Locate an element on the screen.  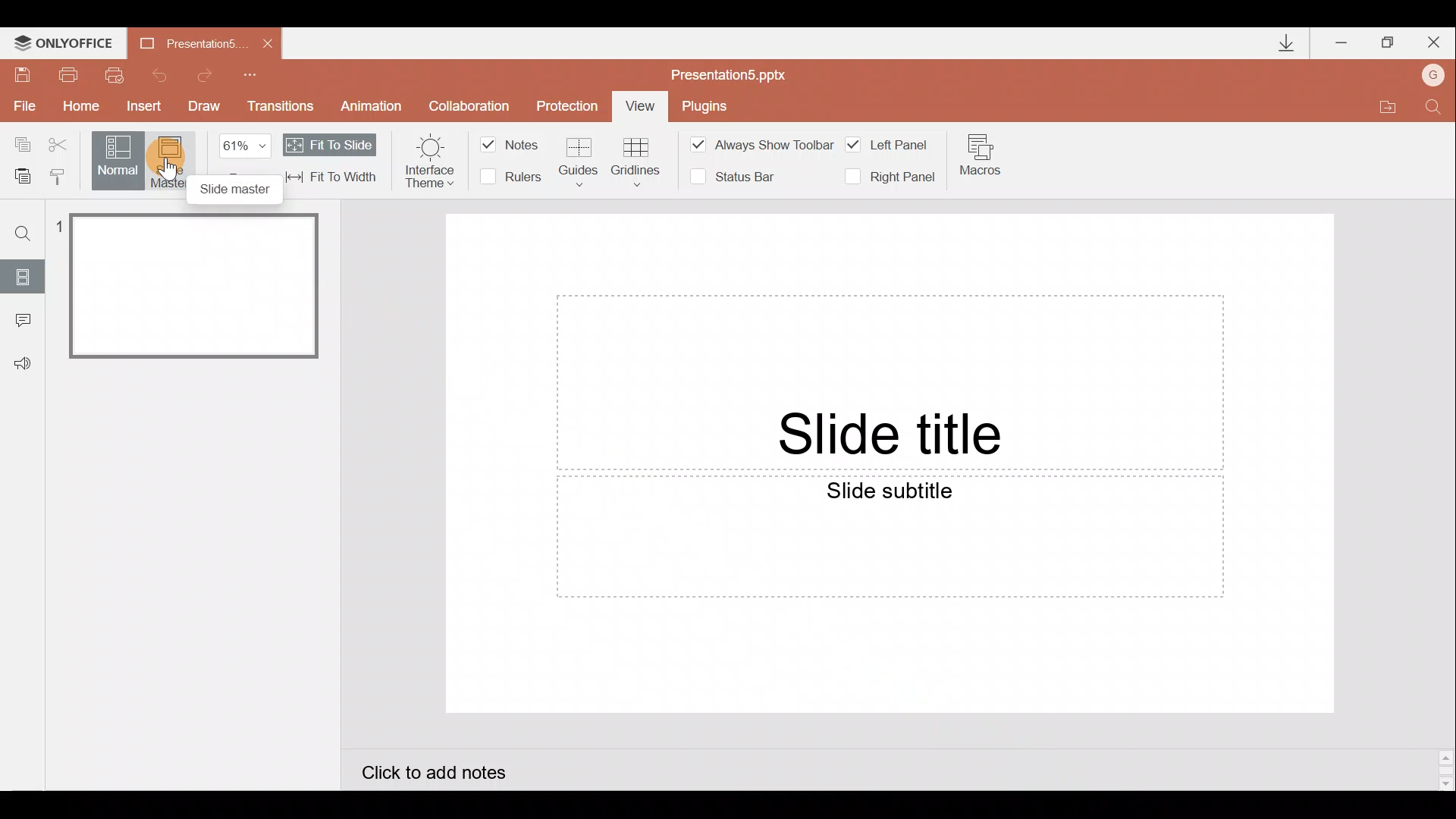
Guides is located at coordinates (579, 162).